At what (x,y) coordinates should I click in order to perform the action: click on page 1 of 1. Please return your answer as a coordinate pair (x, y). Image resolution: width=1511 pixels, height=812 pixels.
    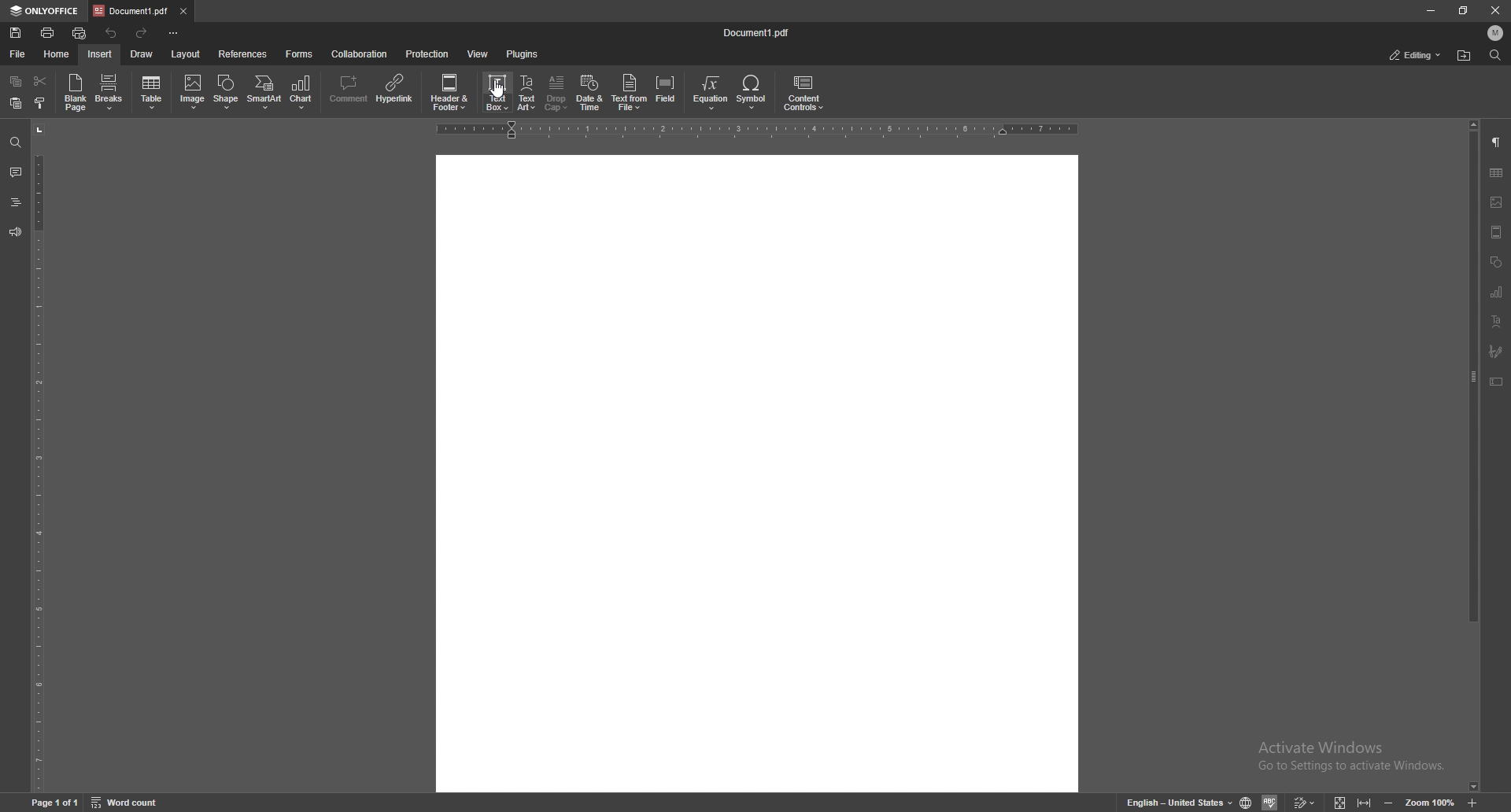
    Looking at the image, I should click on (56, 803).